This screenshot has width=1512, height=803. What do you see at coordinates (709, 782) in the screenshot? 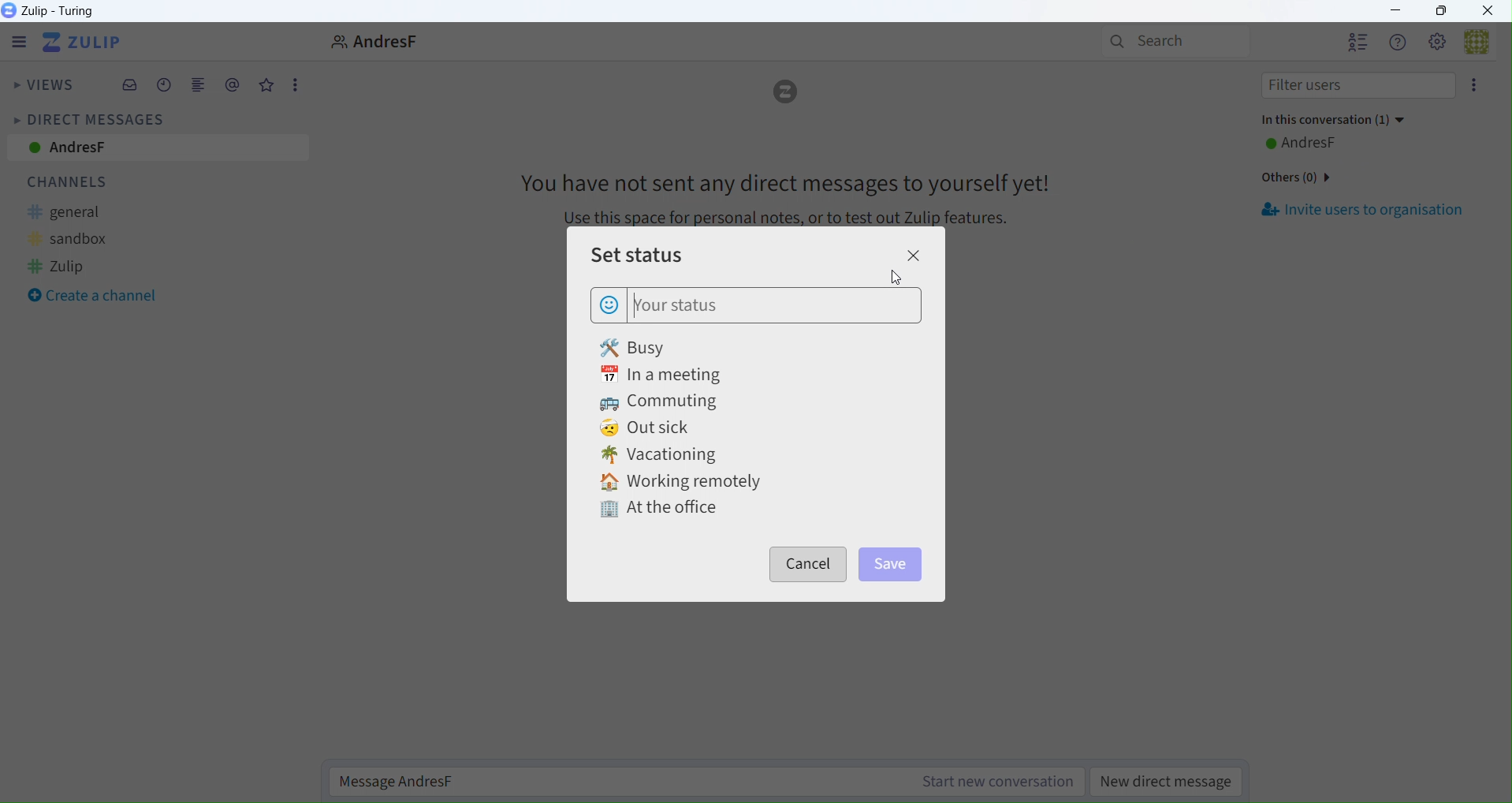
I see `Message AndresF` at bounding box center [709, 782].